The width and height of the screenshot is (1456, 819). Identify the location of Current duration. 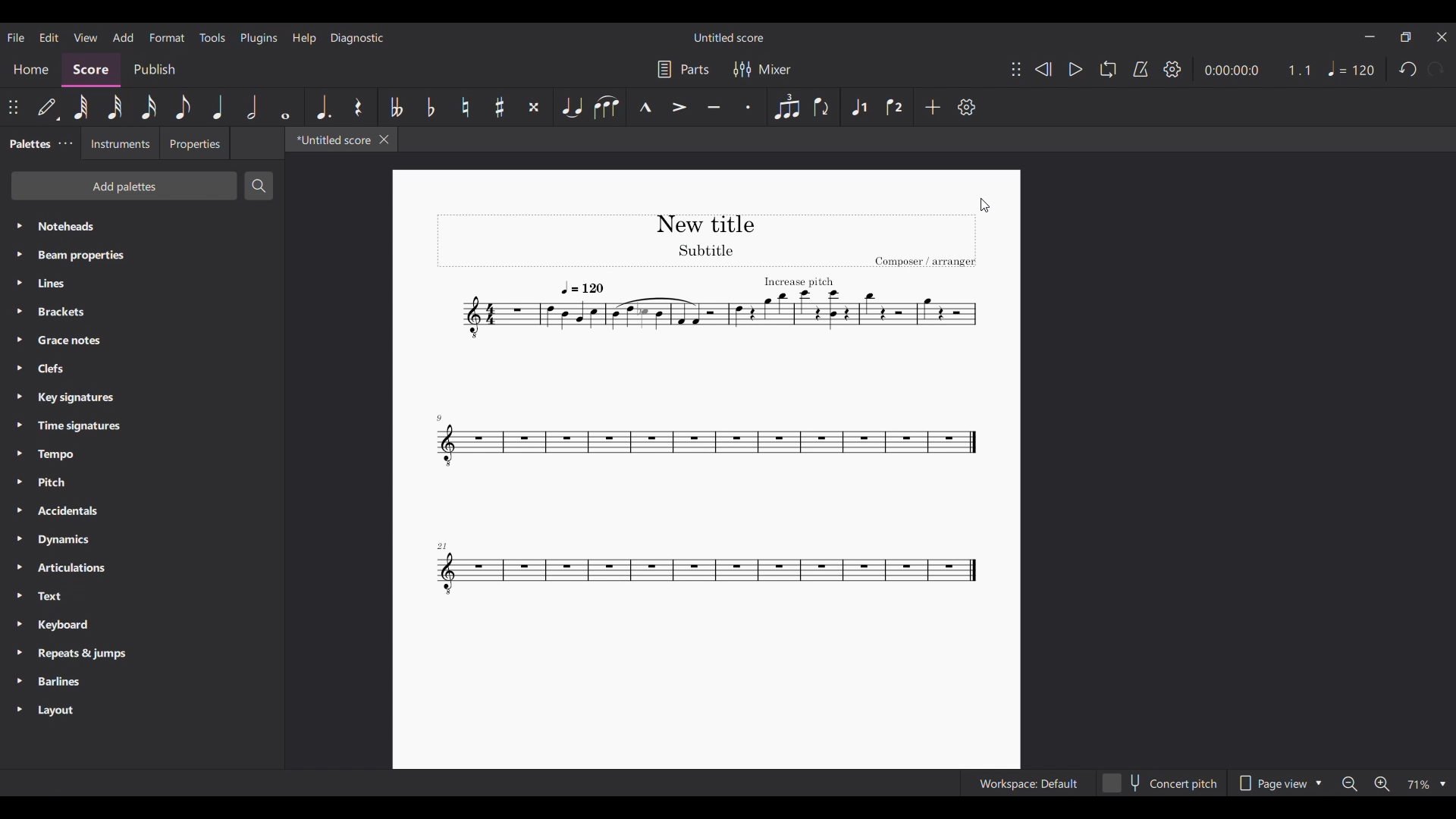
(1230, 70).